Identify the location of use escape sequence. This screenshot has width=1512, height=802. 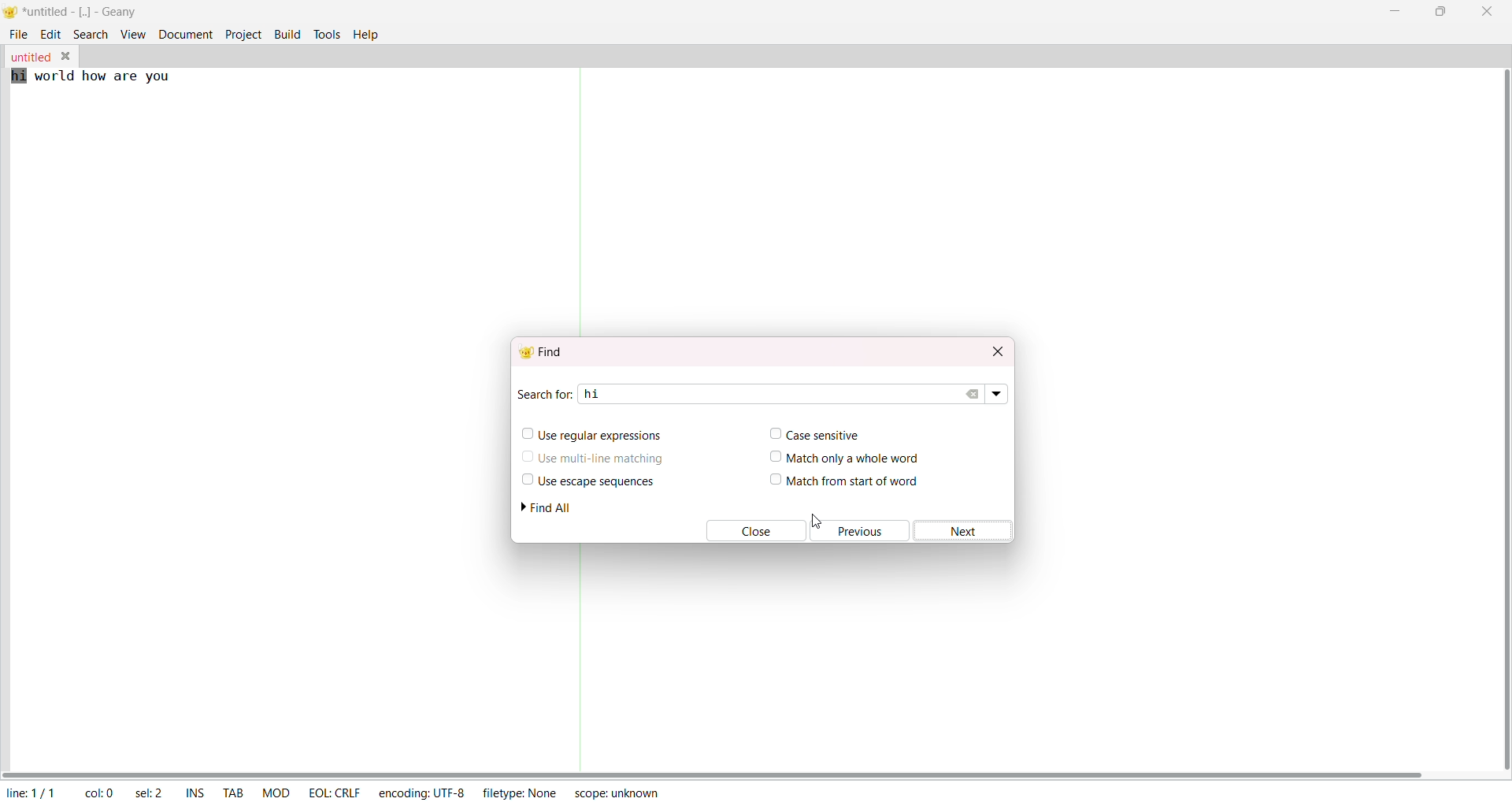
(585, 483).